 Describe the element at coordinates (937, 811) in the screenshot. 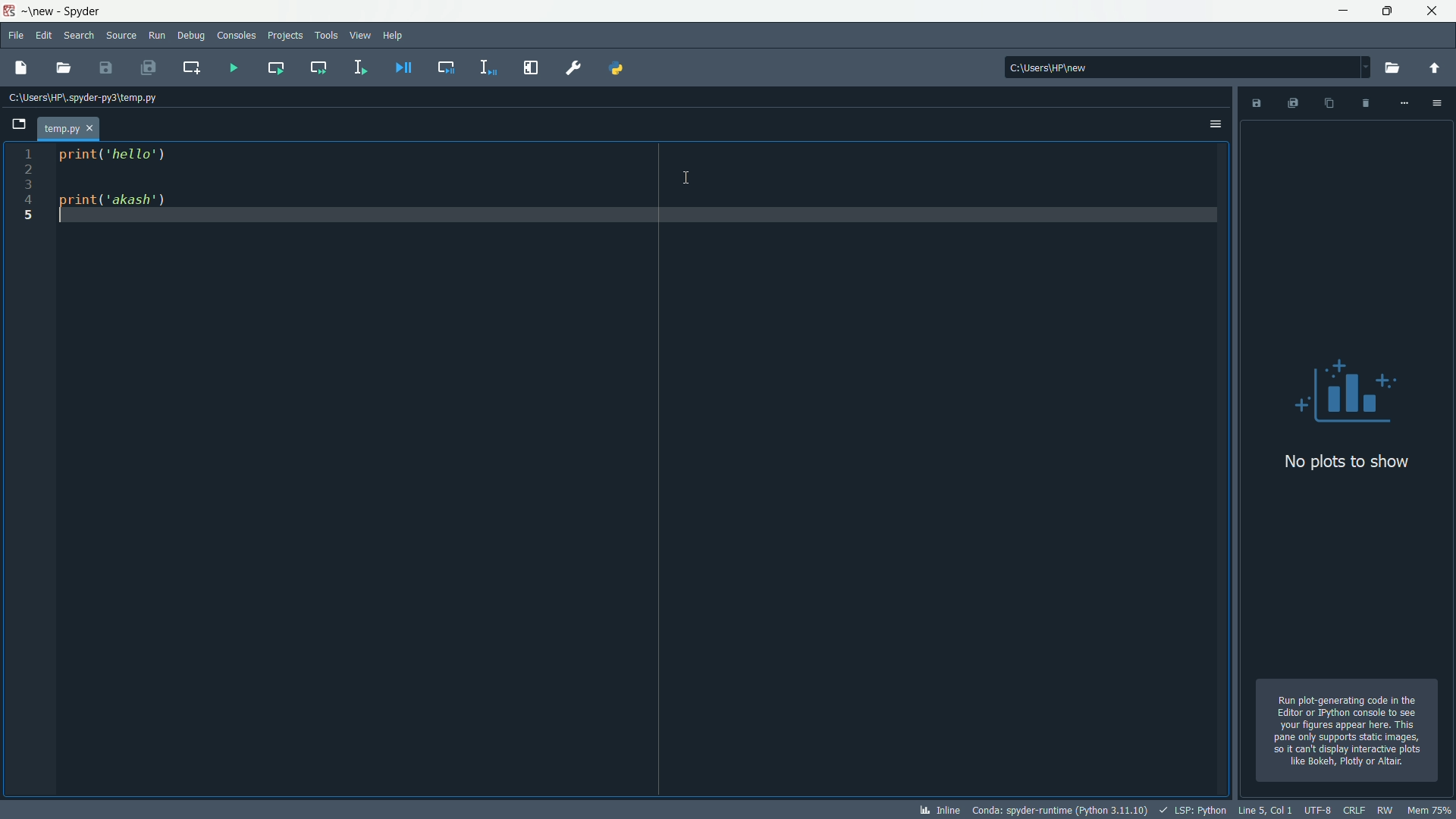

I see `inline` at that location.